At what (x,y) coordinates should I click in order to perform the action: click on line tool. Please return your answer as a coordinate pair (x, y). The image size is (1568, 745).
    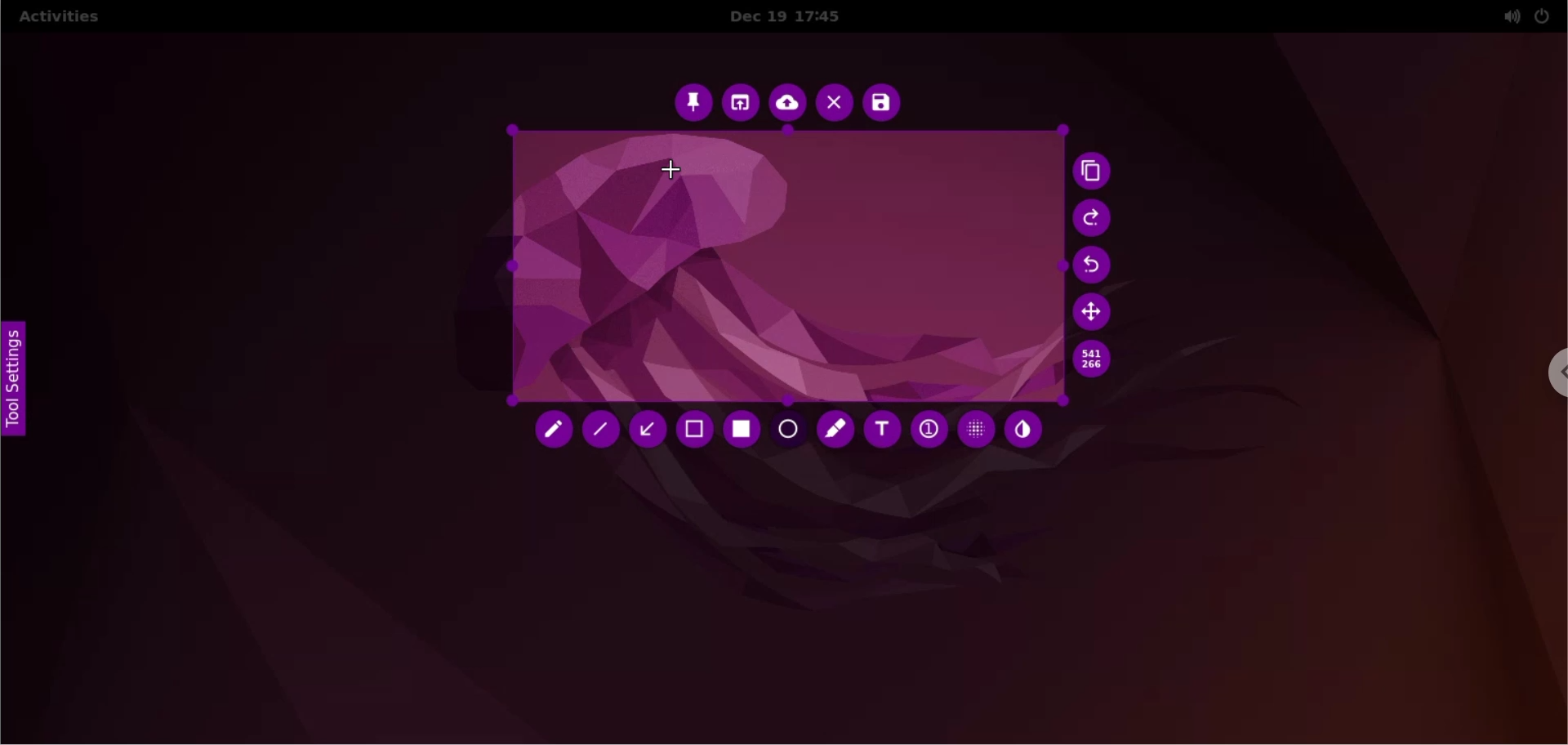
    Looking at the image, I should click on (604, 433).